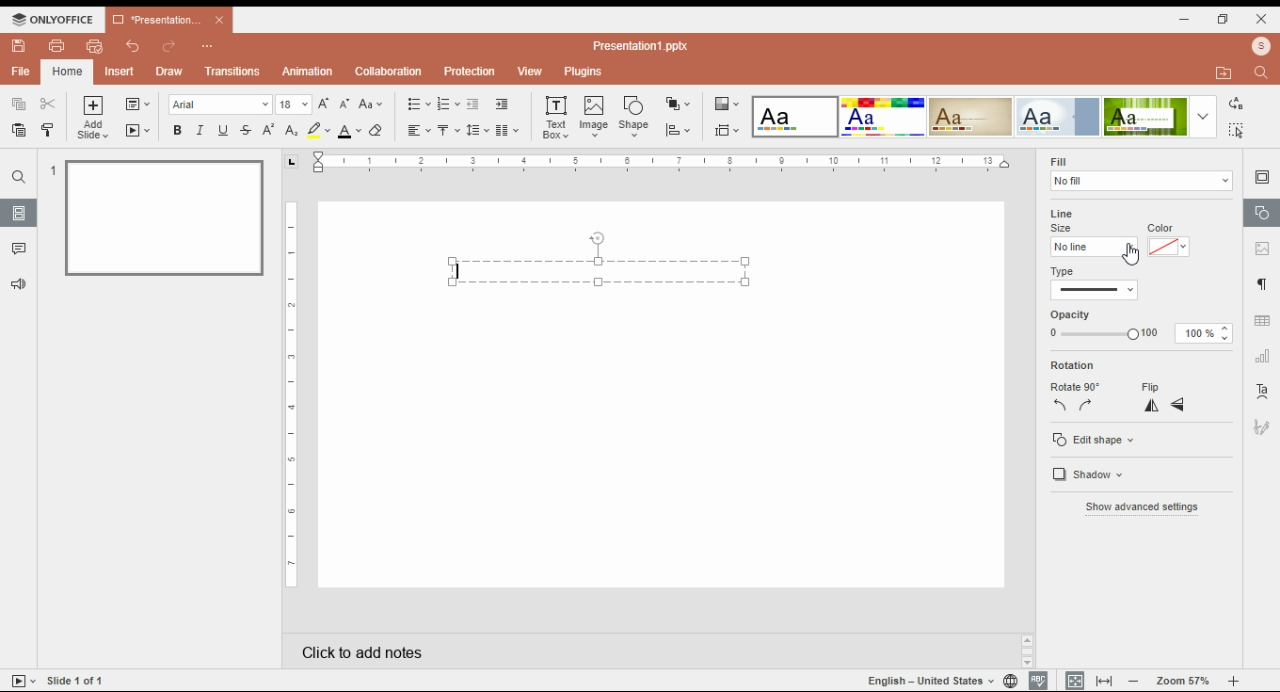 The height and width of the screenshot is (692, 1280). What do you see at coordinates (177, 130) in the screenshot?
I see `bold` at bounding box center [177, 130].